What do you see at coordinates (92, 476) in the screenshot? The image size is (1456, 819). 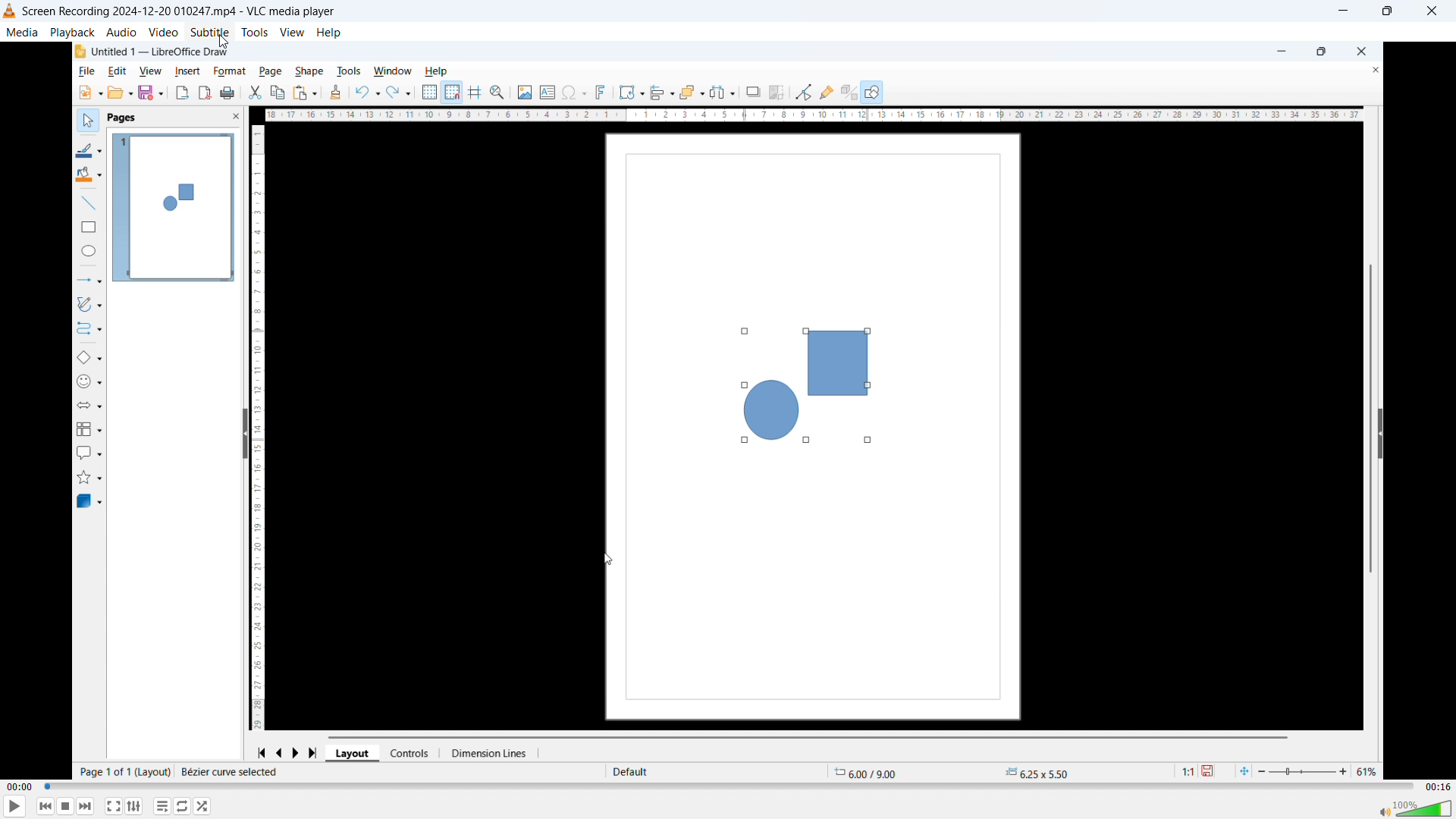 I see `star and banner` at bounding box center [92, 476].